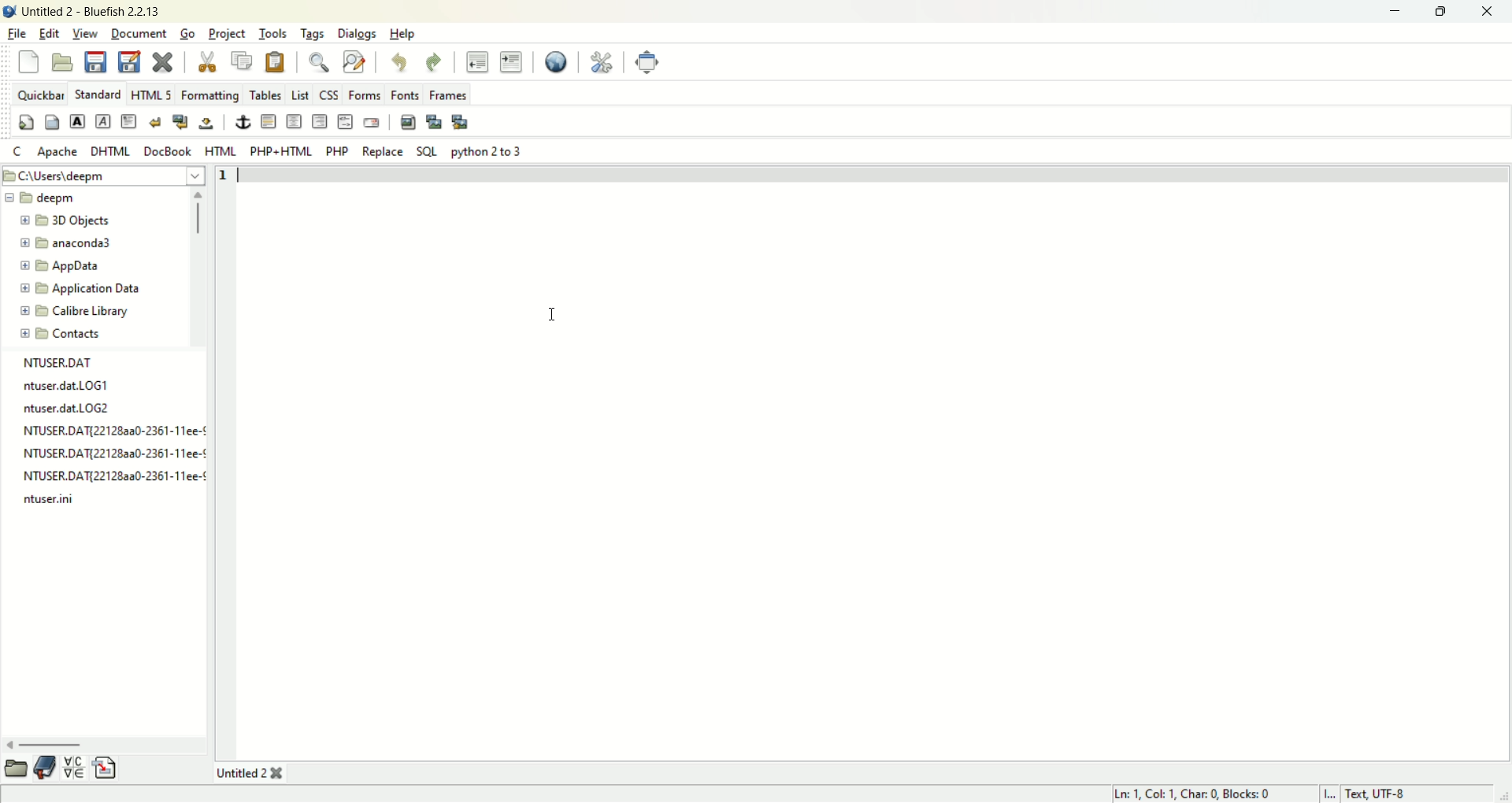 Image resolution: width=1512 pixels, height=803 pixels. I want to click on line number, so click(228, 178).